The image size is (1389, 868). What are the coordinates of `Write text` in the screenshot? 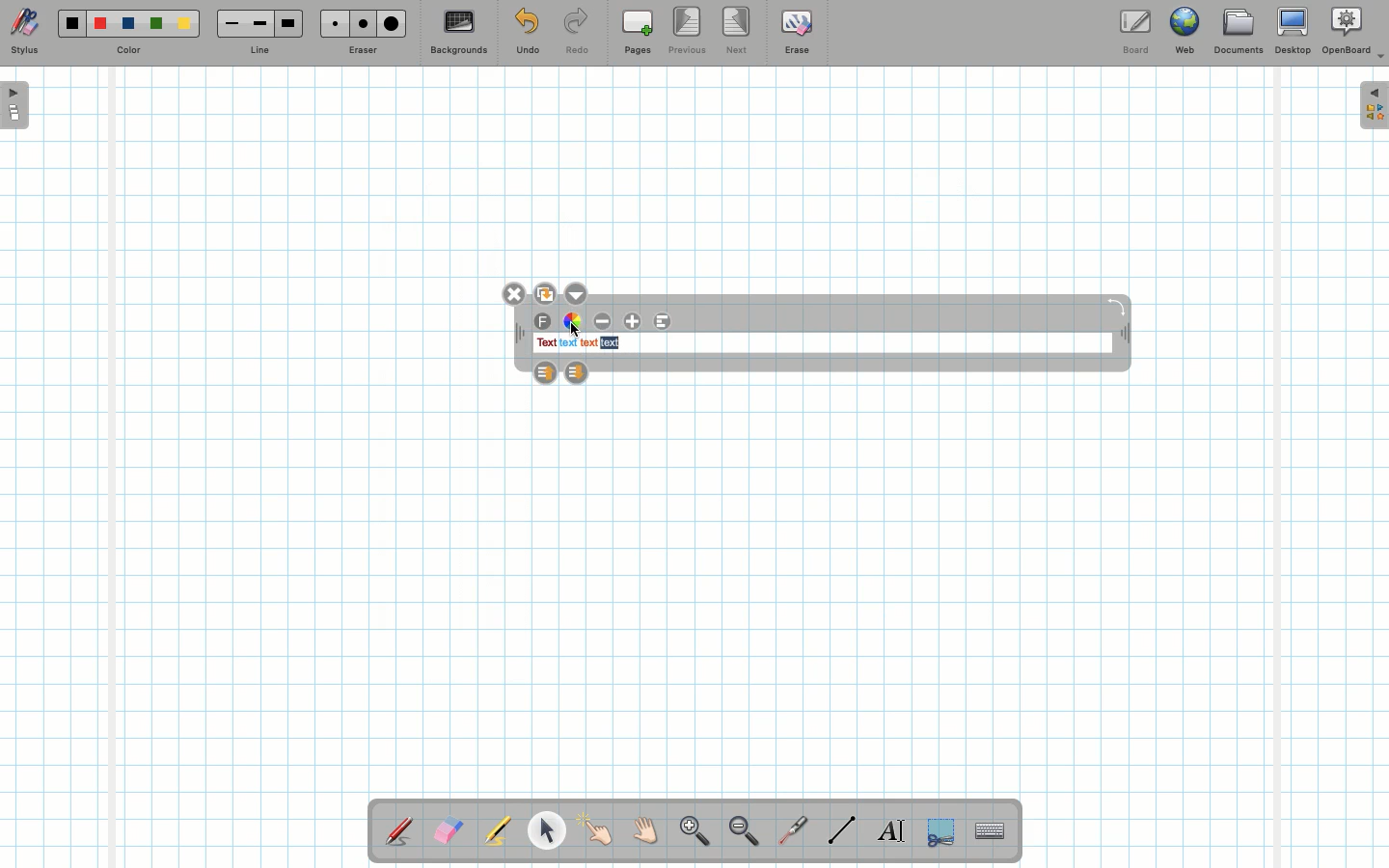 It's located at (893, 827).